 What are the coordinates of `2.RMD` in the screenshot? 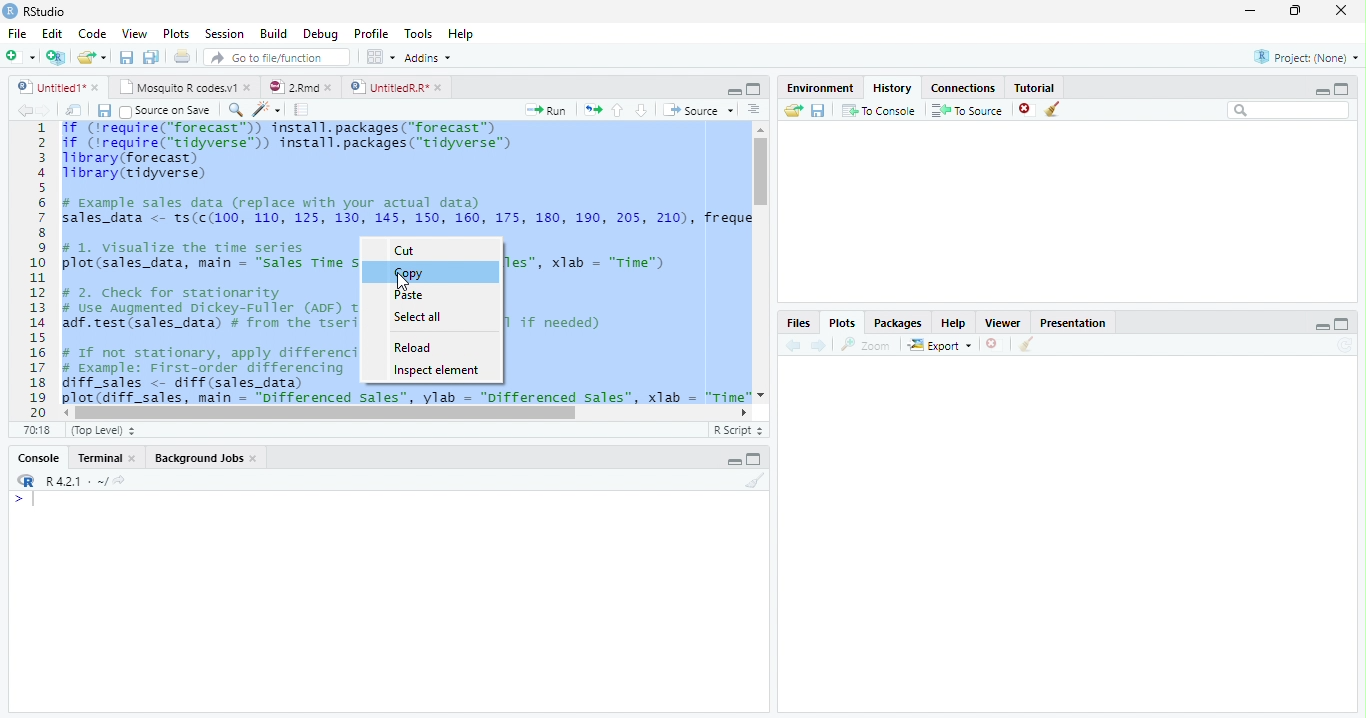 It's located at (300, 87).